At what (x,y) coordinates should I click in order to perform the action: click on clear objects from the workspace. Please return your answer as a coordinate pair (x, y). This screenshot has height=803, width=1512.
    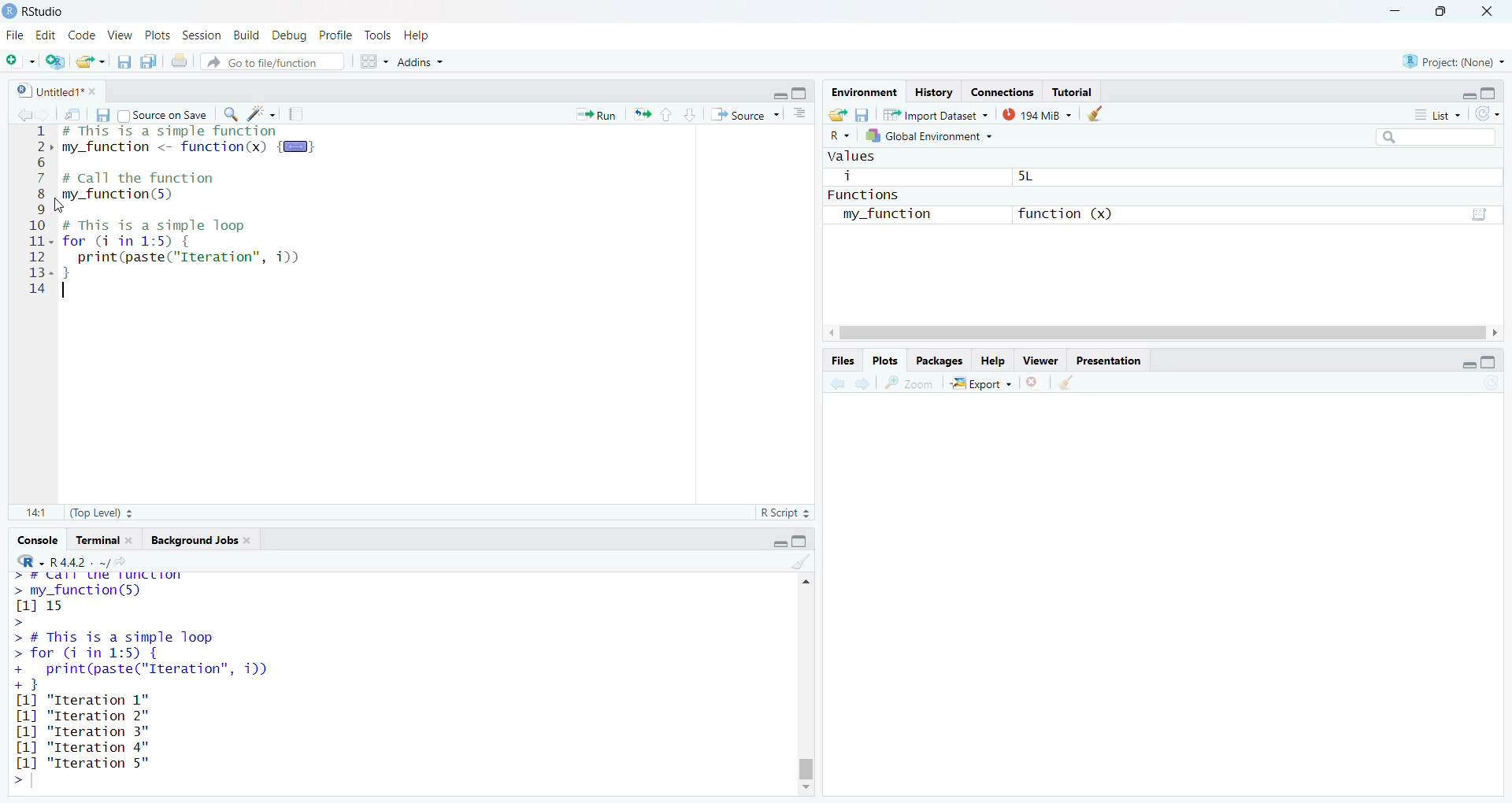
    Looking at the image, I should click on (1098, 115).